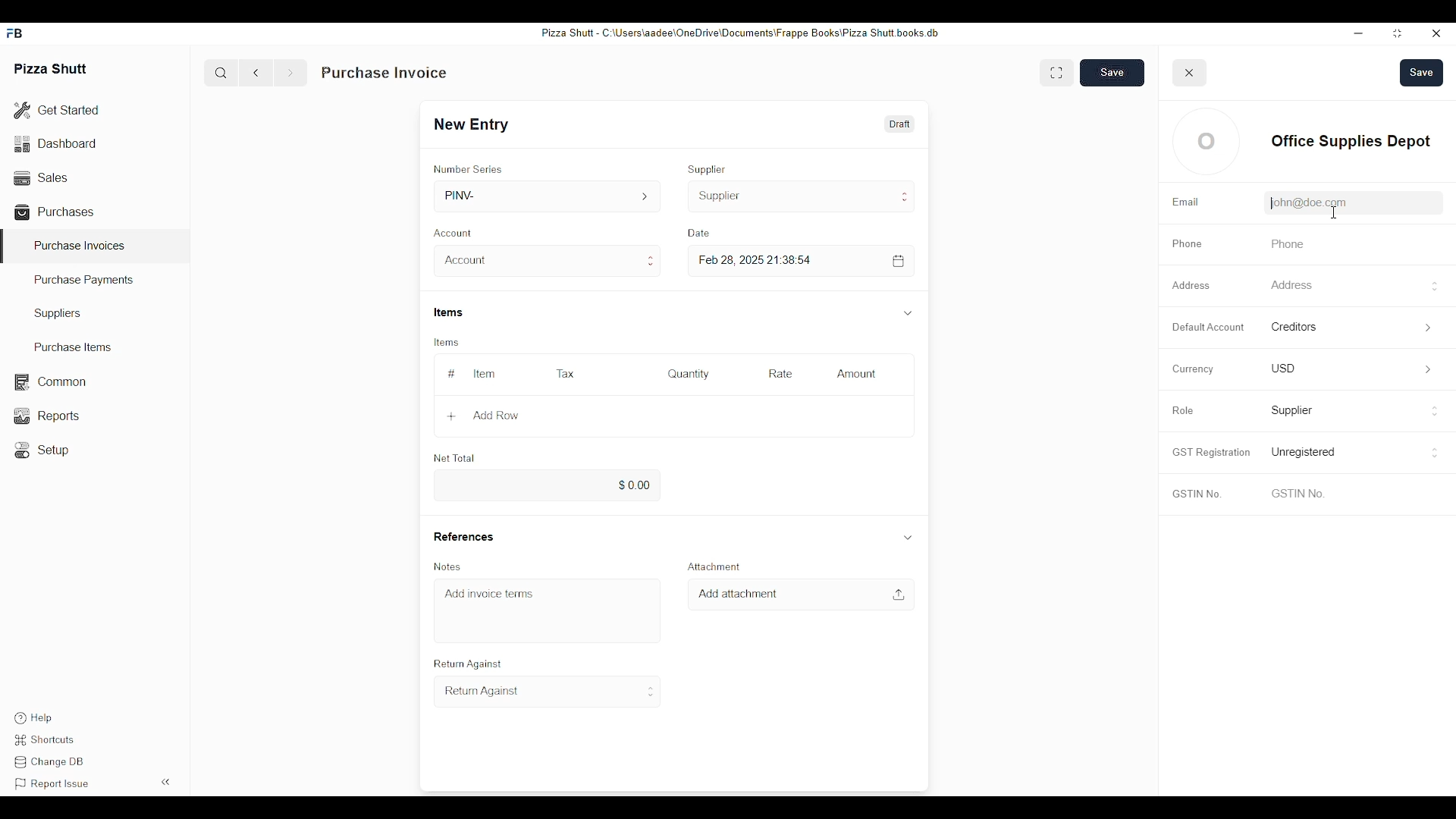 This screenshot has width=1456, height=819. I want to click on Add invoice terms, so click(490, 593).